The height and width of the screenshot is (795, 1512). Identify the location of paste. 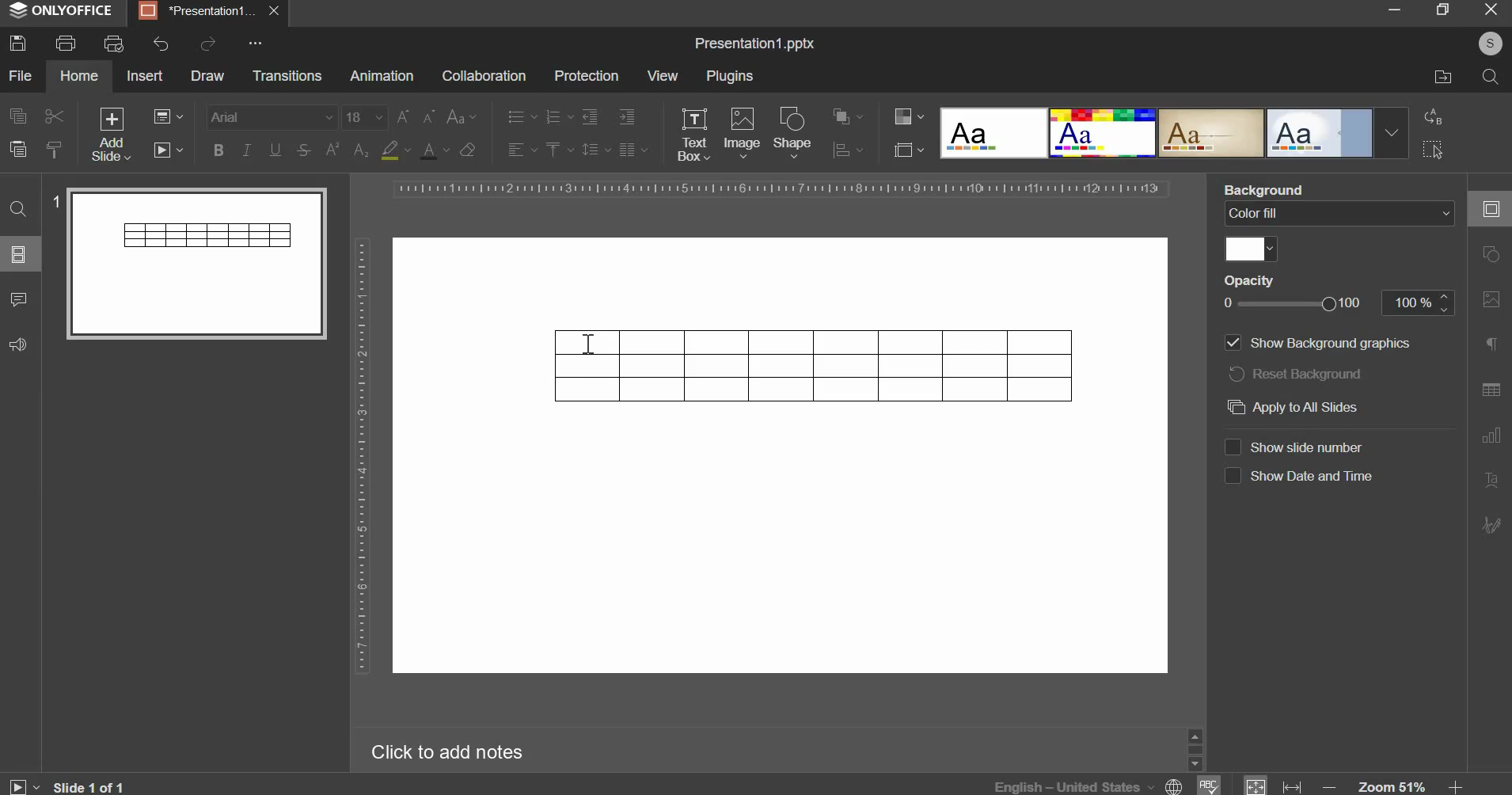
(17, 147).